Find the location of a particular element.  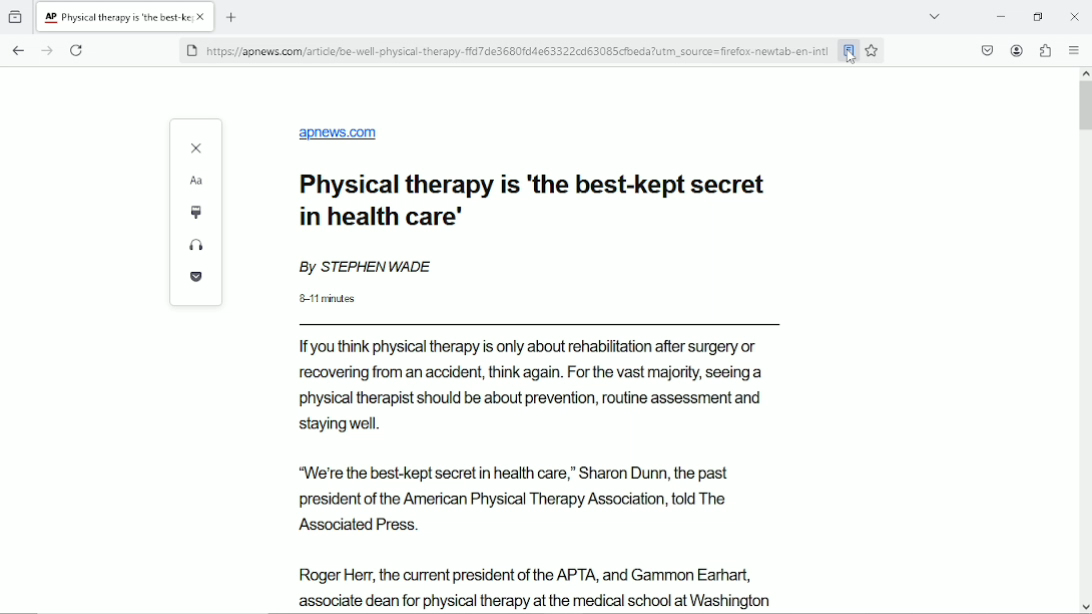

vertical scrollbar is located at coordinates (1086, 96).